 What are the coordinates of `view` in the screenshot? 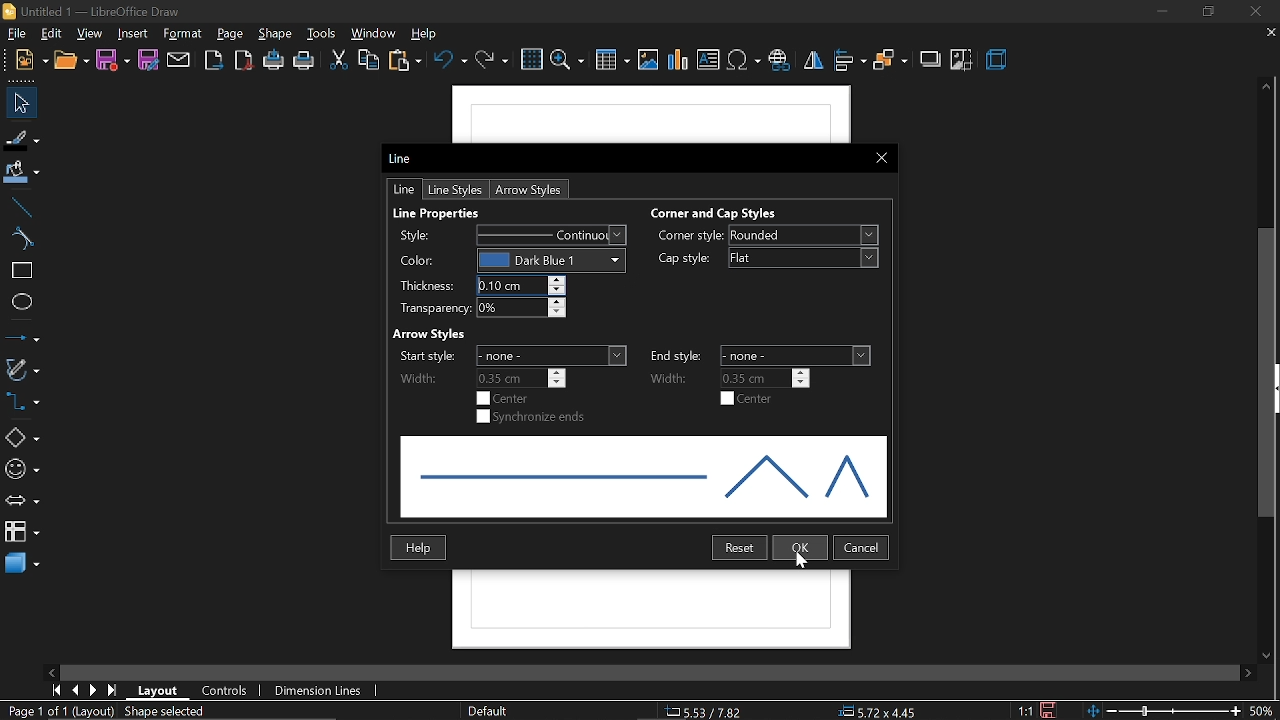 It's located at (90, 34).